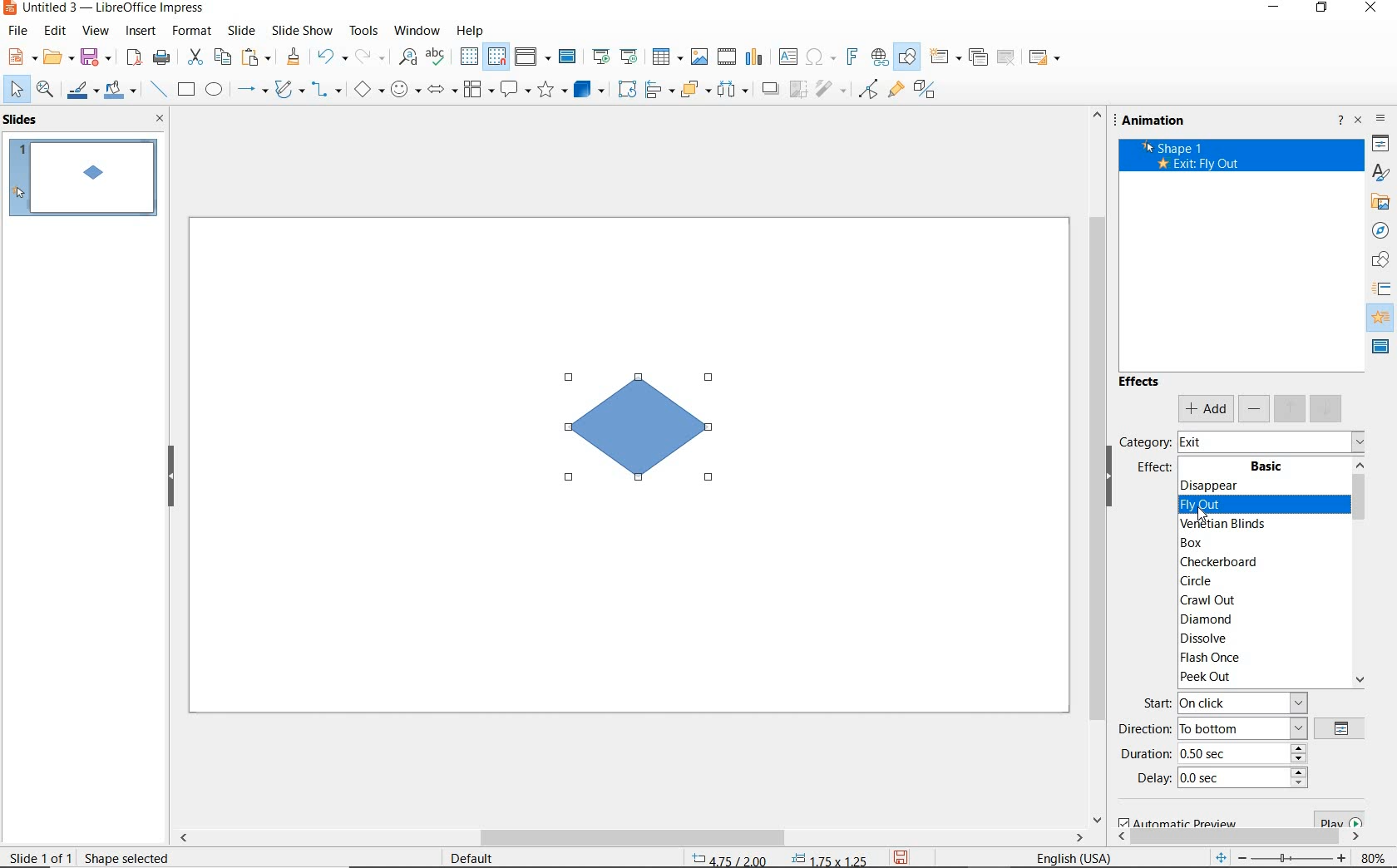  What do you see at coordinates (868, 90) in the screenshot?
I see `toggle point edit mode` at bounding box center [868, 90].